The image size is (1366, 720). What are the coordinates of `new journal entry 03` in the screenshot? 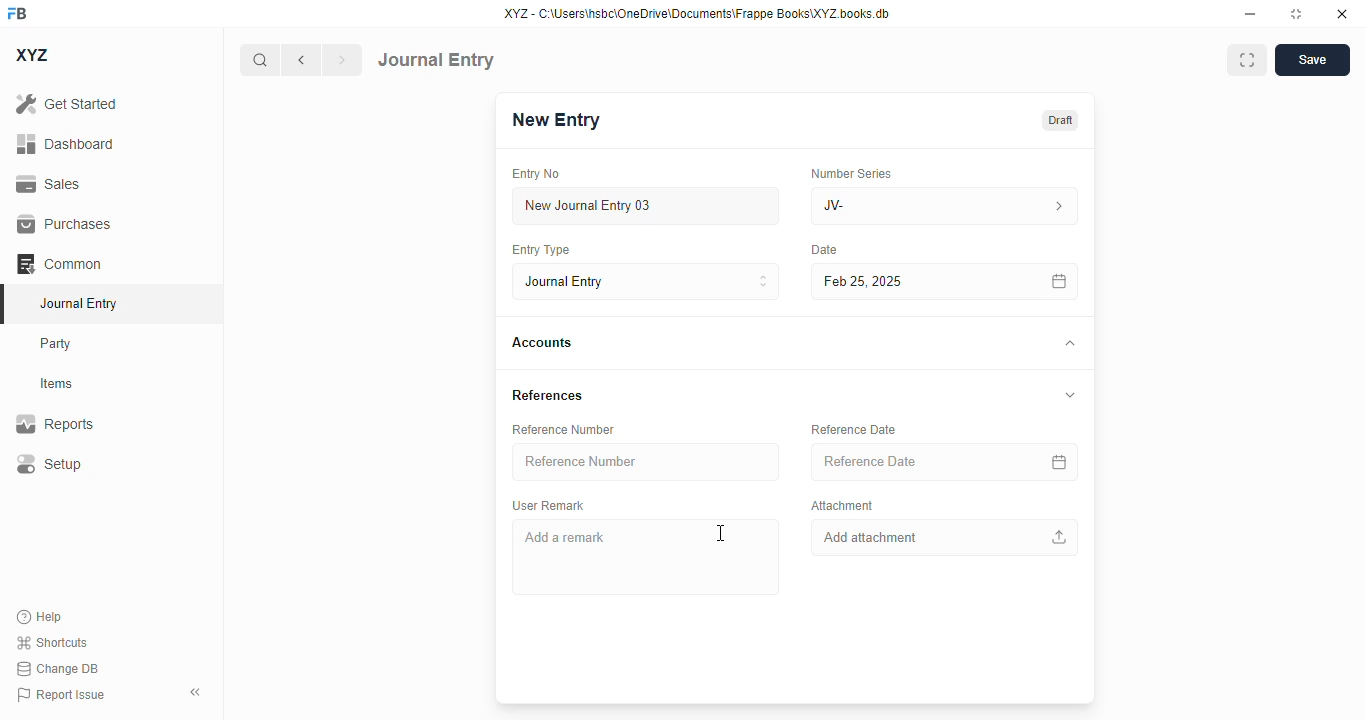 It's located at (644, 206).